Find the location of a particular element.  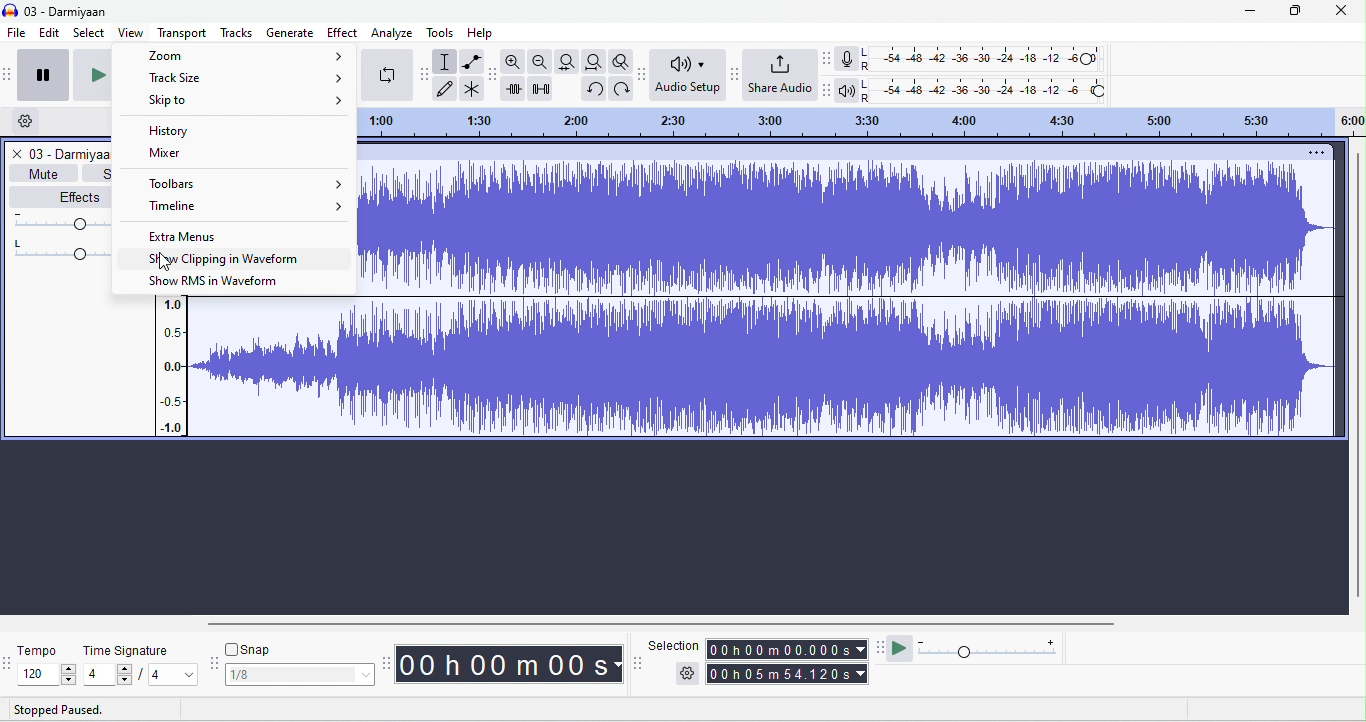

playback speed is located at coordinates (988, 647).